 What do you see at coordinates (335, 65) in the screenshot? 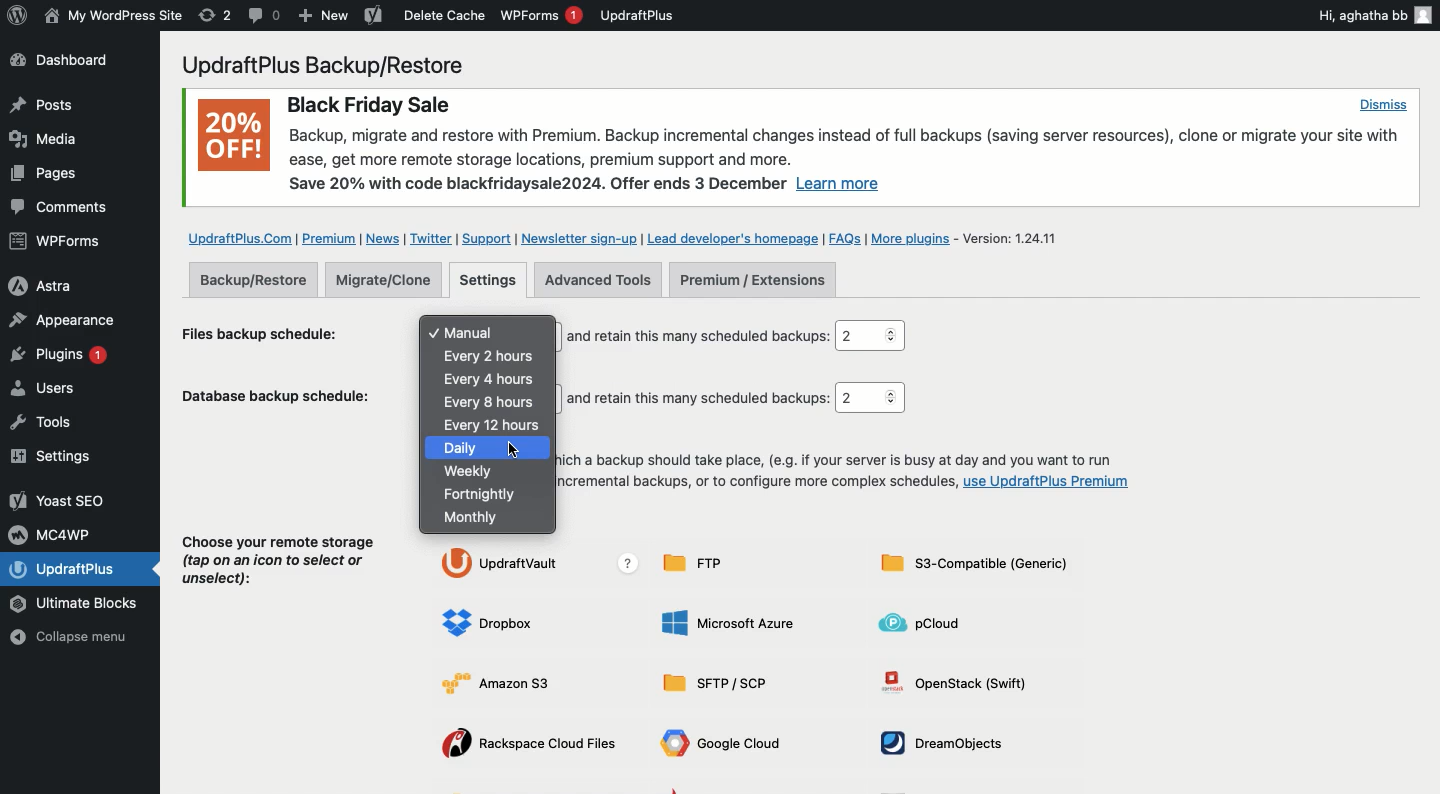
I see `UpdraftPlus Backup/Restore` at bounding box center [335, 65].